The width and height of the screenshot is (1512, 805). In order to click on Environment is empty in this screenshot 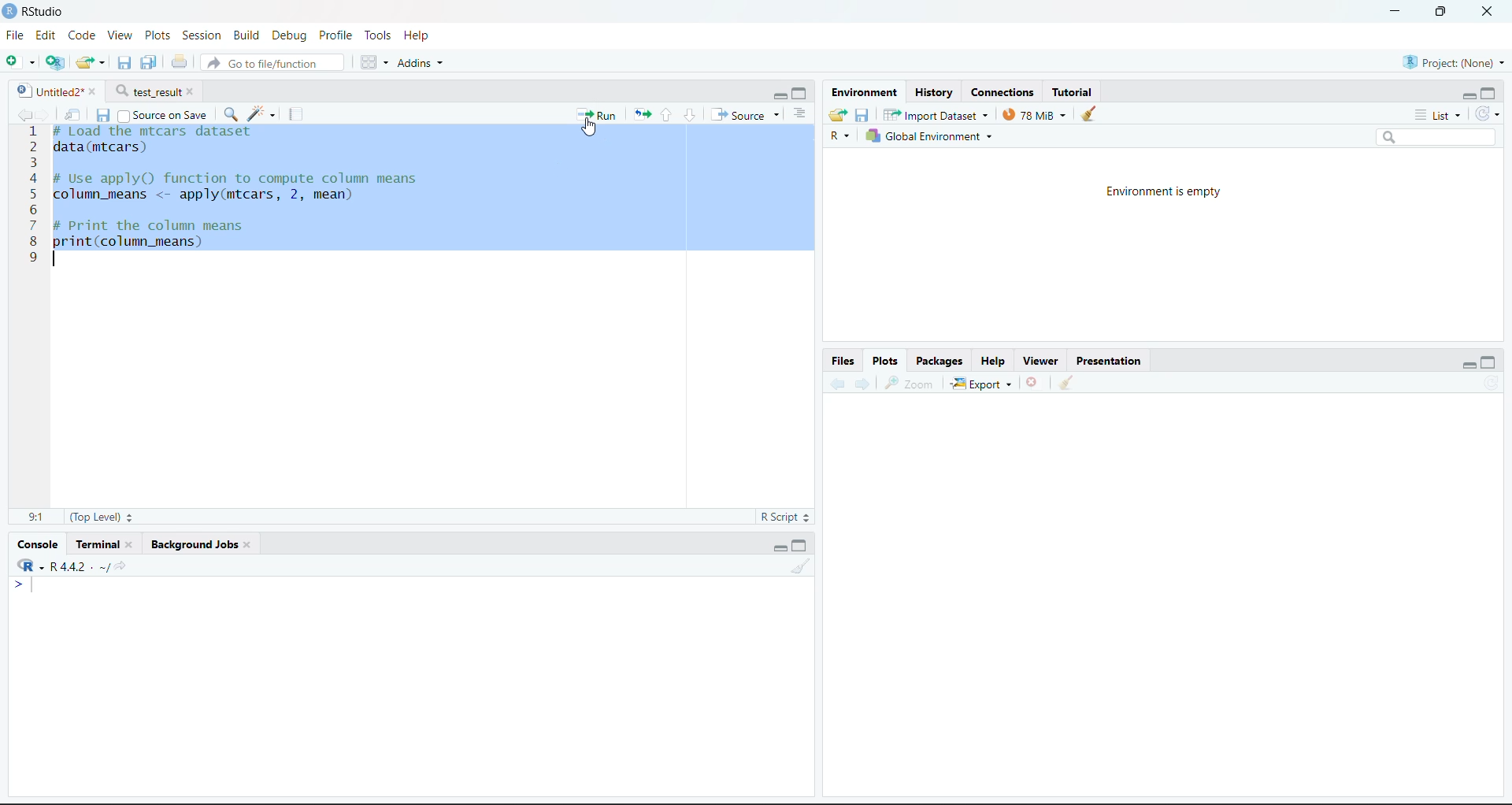, I will do `click(1165, 190)`.